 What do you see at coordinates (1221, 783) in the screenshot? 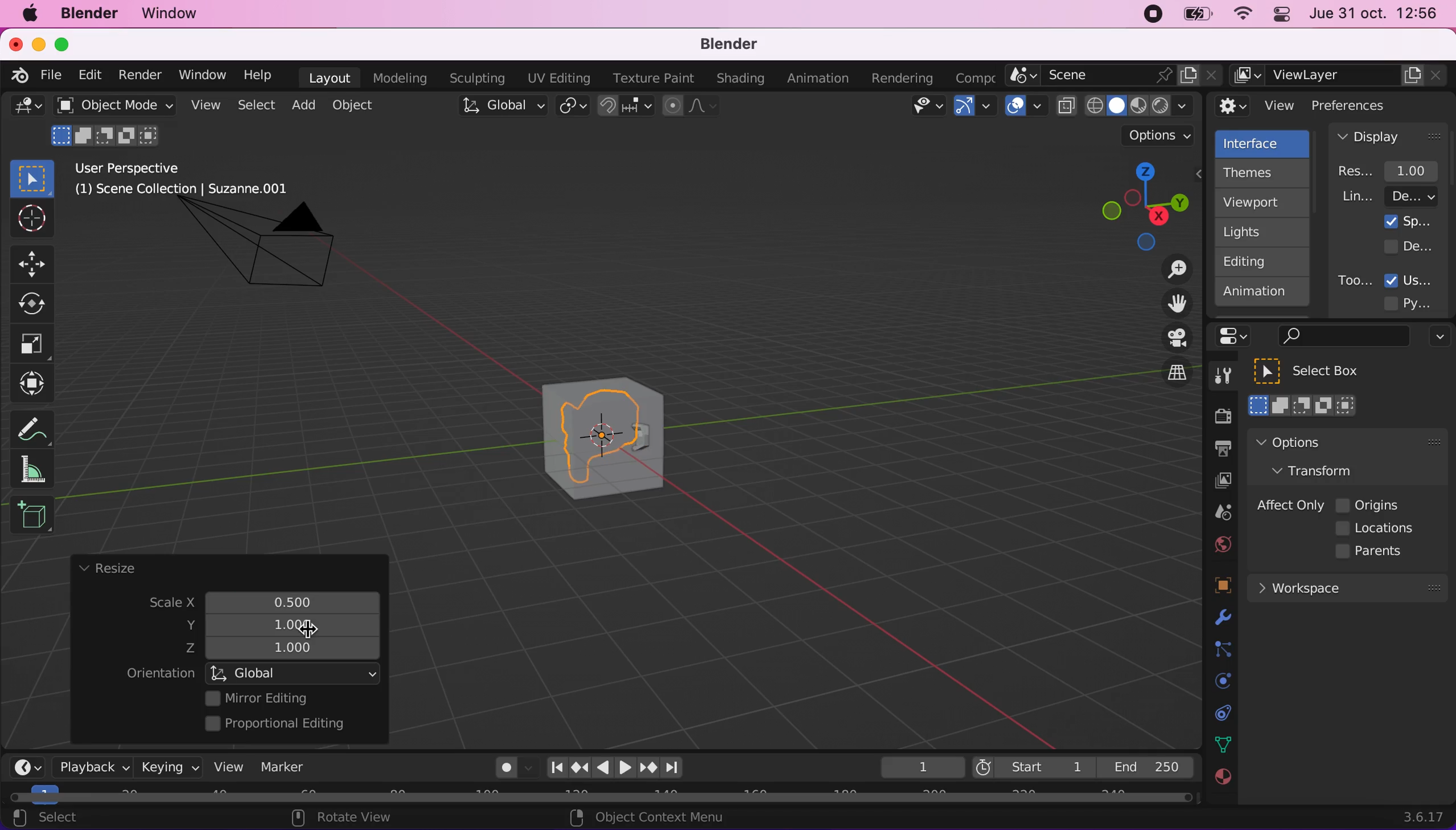
I see `texture` at bounding box center [1221, 783].